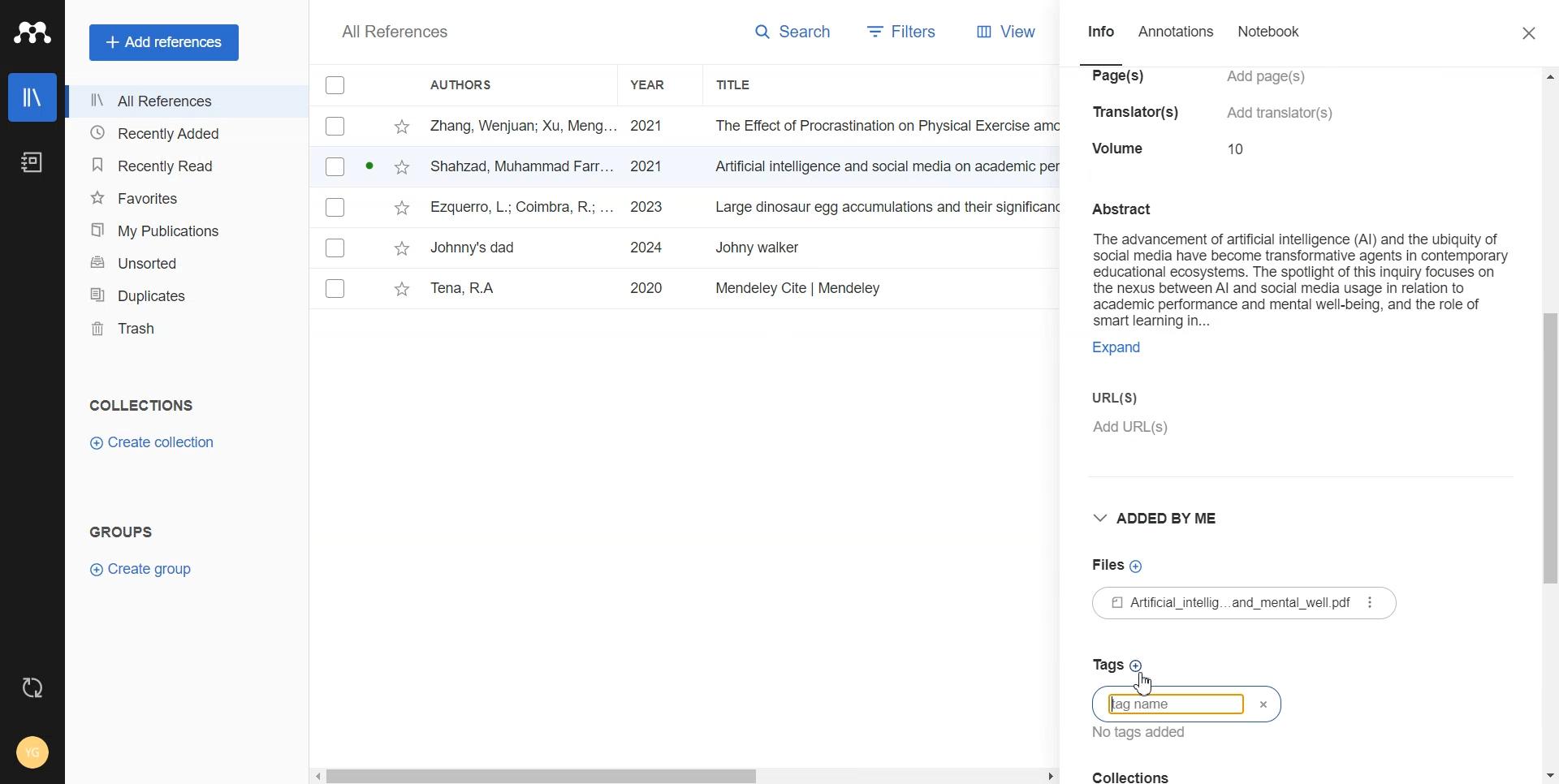 Image resolution: width=1559 pixels, height=784 pixels. Describe the element at coordinates (1116, 566) in the screenshot. I see `Files` at that location.